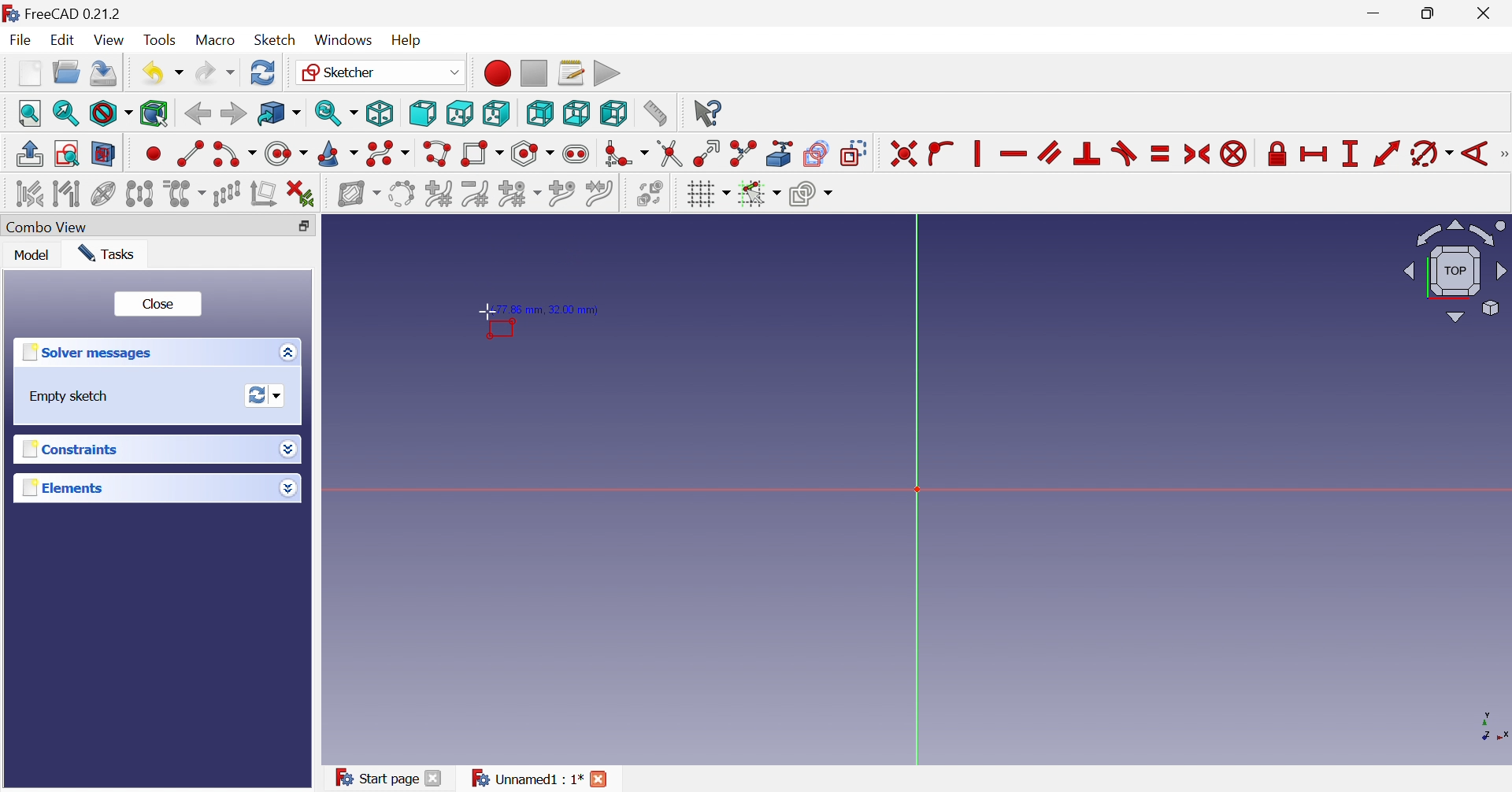 The width and height of the screenshot is (1512, 792). Describe the element at coordinates (400, 194) in the screenshot. I see `Convert geometry to B-spline` at that location.